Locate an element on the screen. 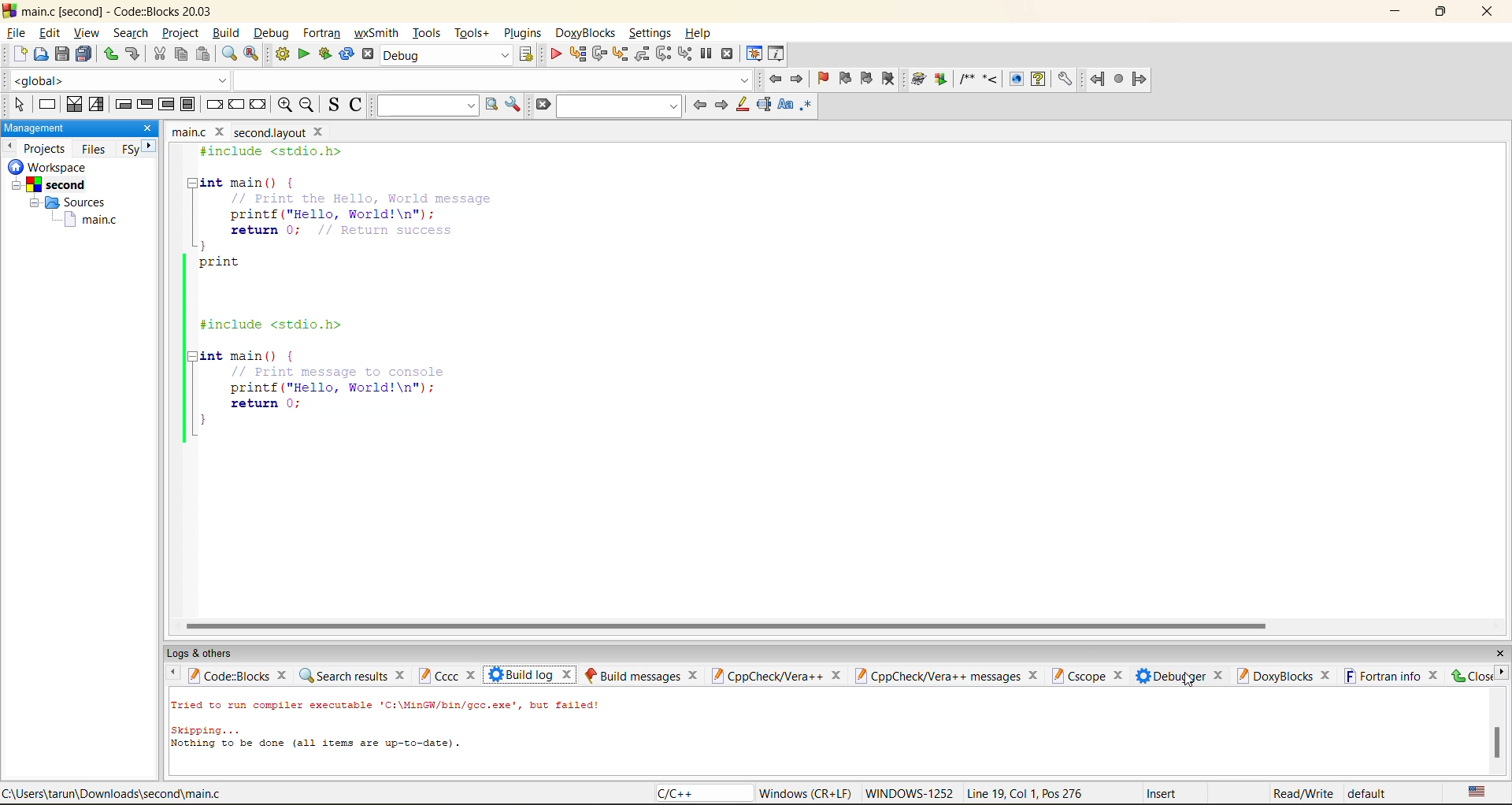 This screenshot has width=1512, height=805. counting loop is located at coordinates (164, 105).